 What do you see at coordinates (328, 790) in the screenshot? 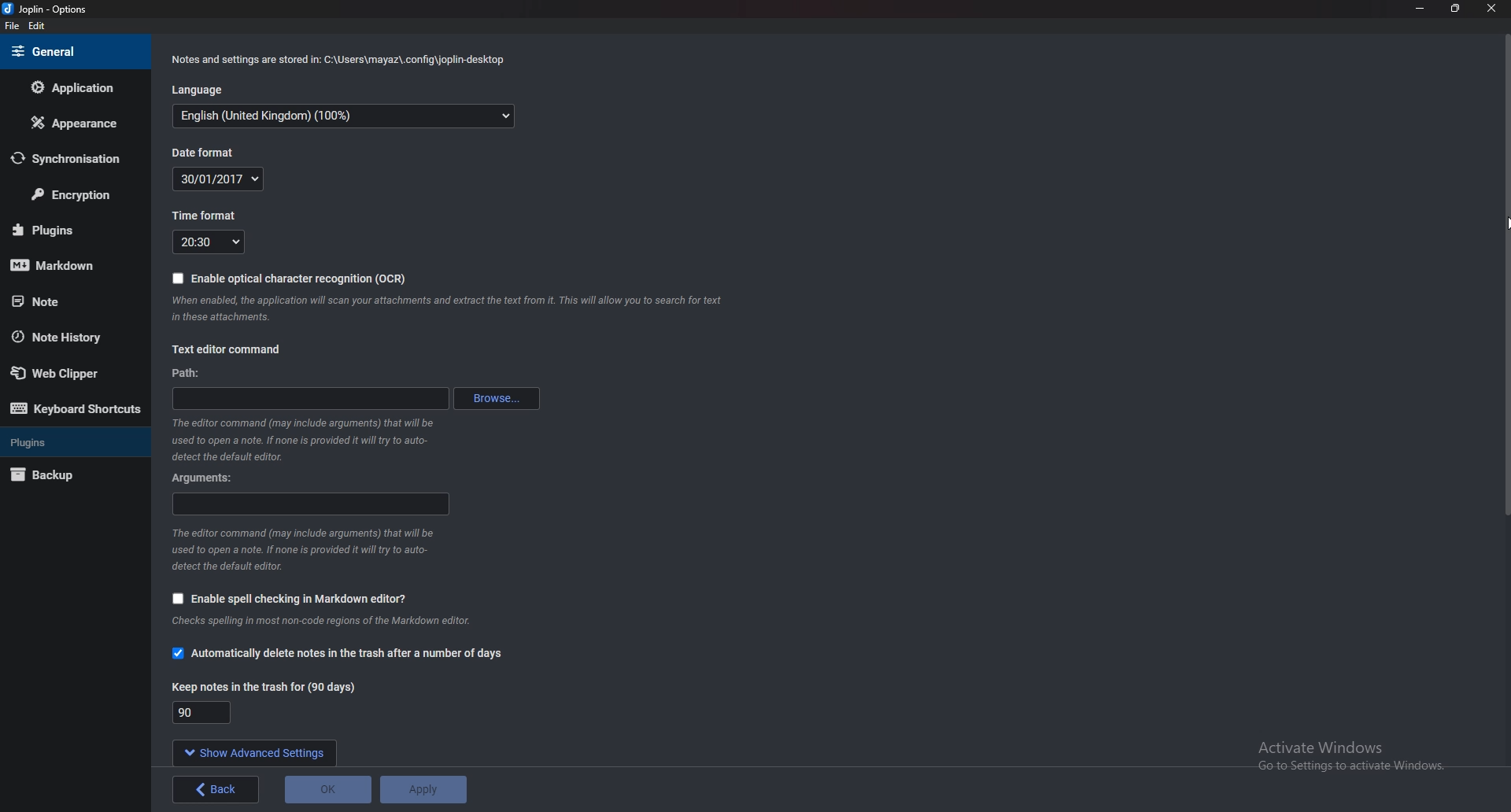
I see `ok` at bounding box center [328, 790].